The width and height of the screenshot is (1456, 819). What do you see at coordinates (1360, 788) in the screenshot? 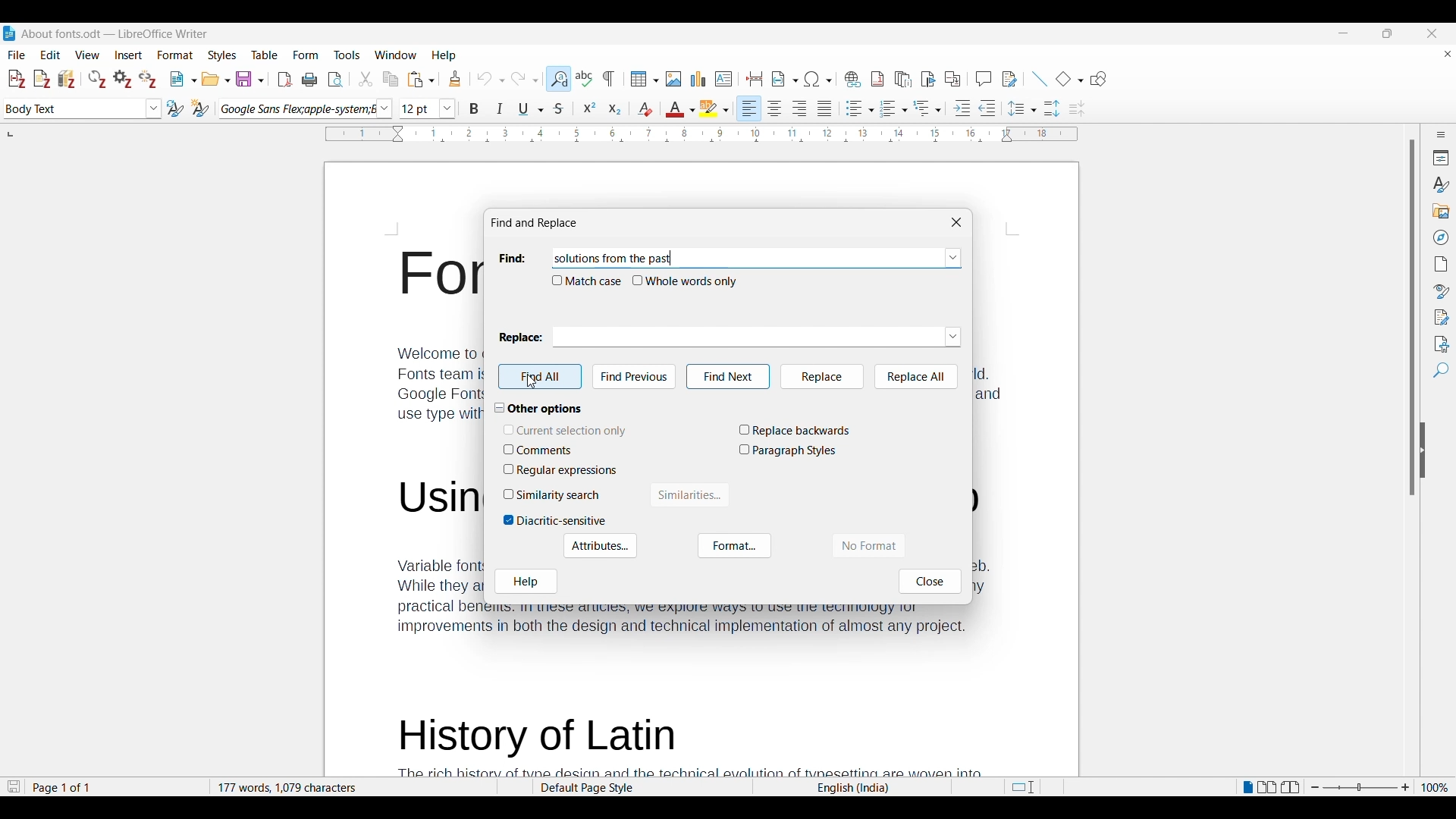
I see `Zoom in/out slider` at bounding box center [1360, 788].